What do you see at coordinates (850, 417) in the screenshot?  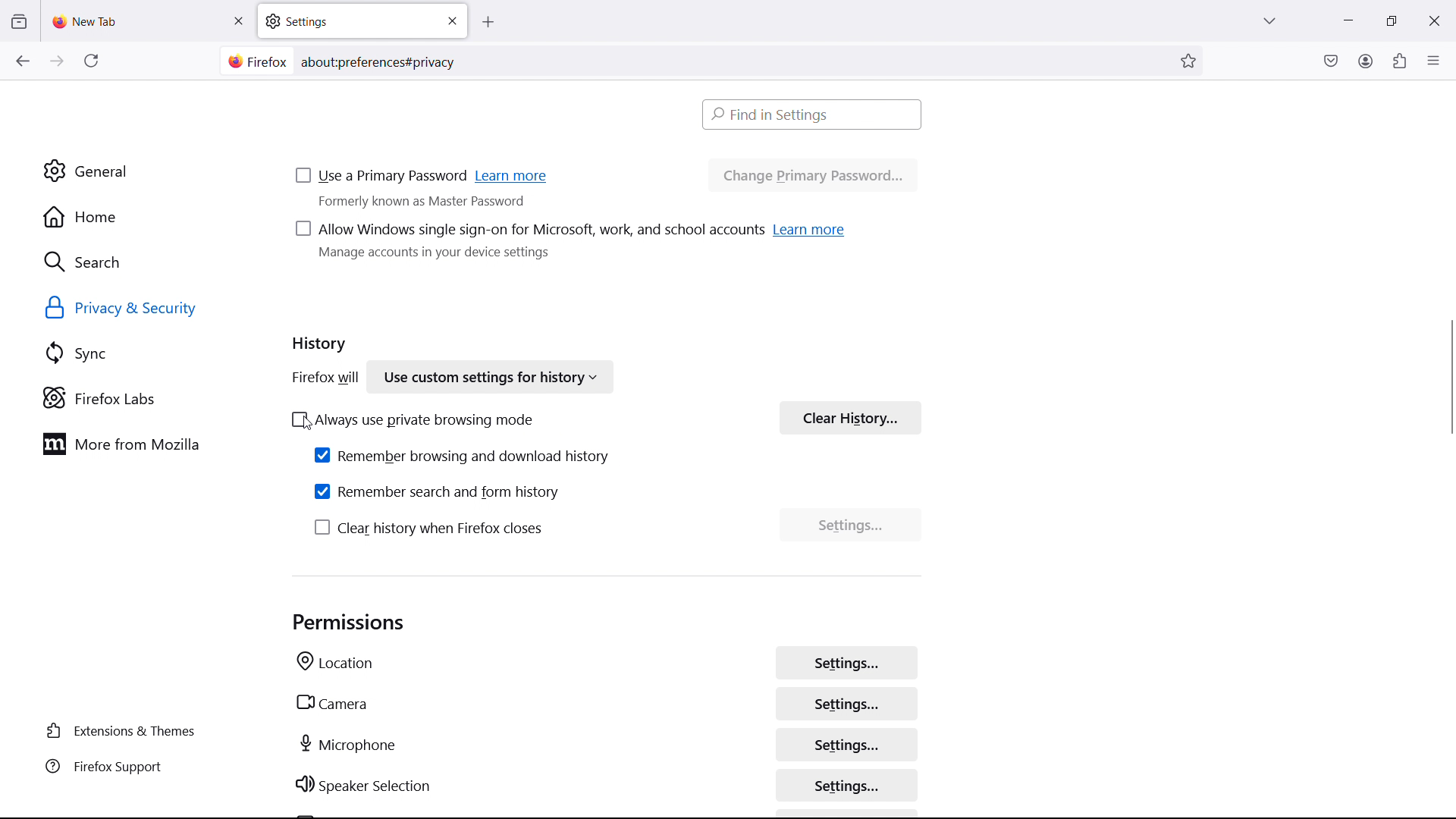 I see `clear history` at bounding box center [850, 417].